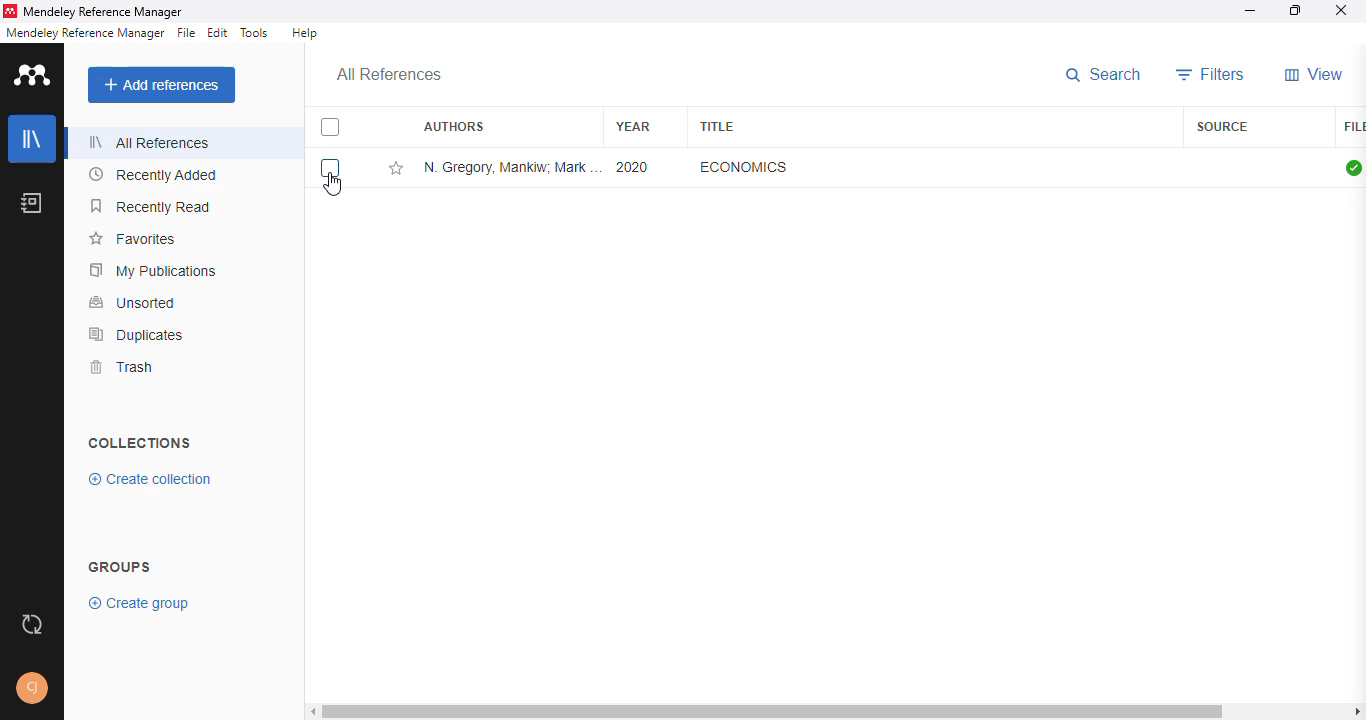 The width and height of the screenshot is (1366, 720). I want to click on horizontal scroll bar, so click(834, 711).